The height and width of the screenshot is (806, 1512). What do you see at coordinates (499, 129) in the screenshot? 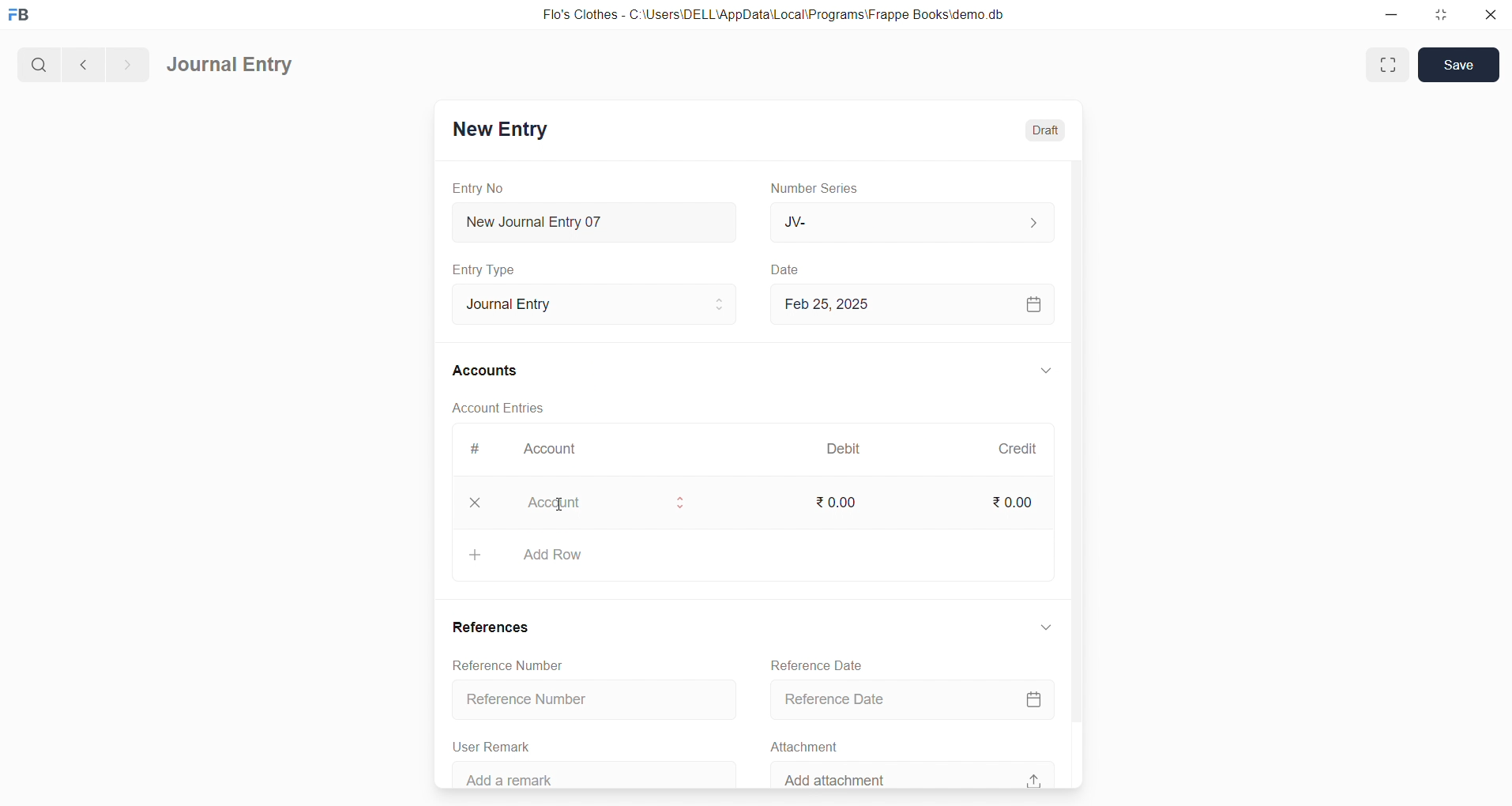
I see `New Entry` at bounding box center [499, 129].